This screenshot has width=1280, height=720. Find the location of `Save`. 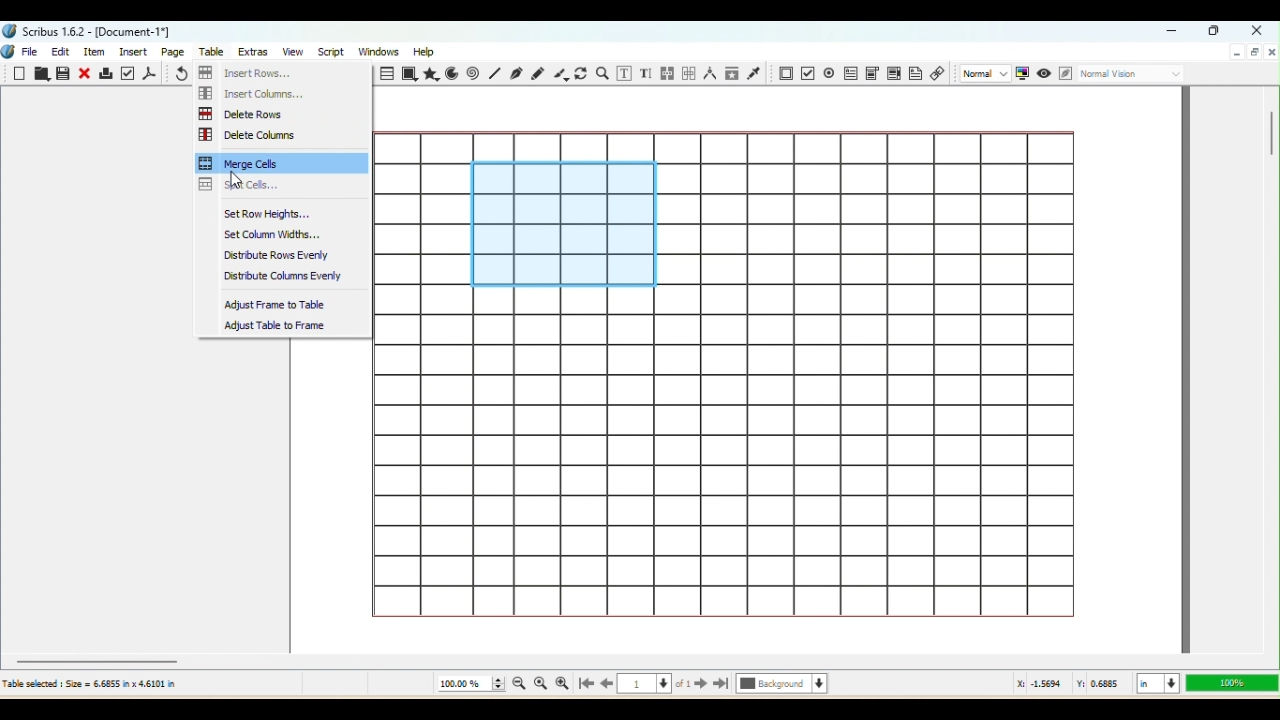

Save is located at coordinates (65, 75).